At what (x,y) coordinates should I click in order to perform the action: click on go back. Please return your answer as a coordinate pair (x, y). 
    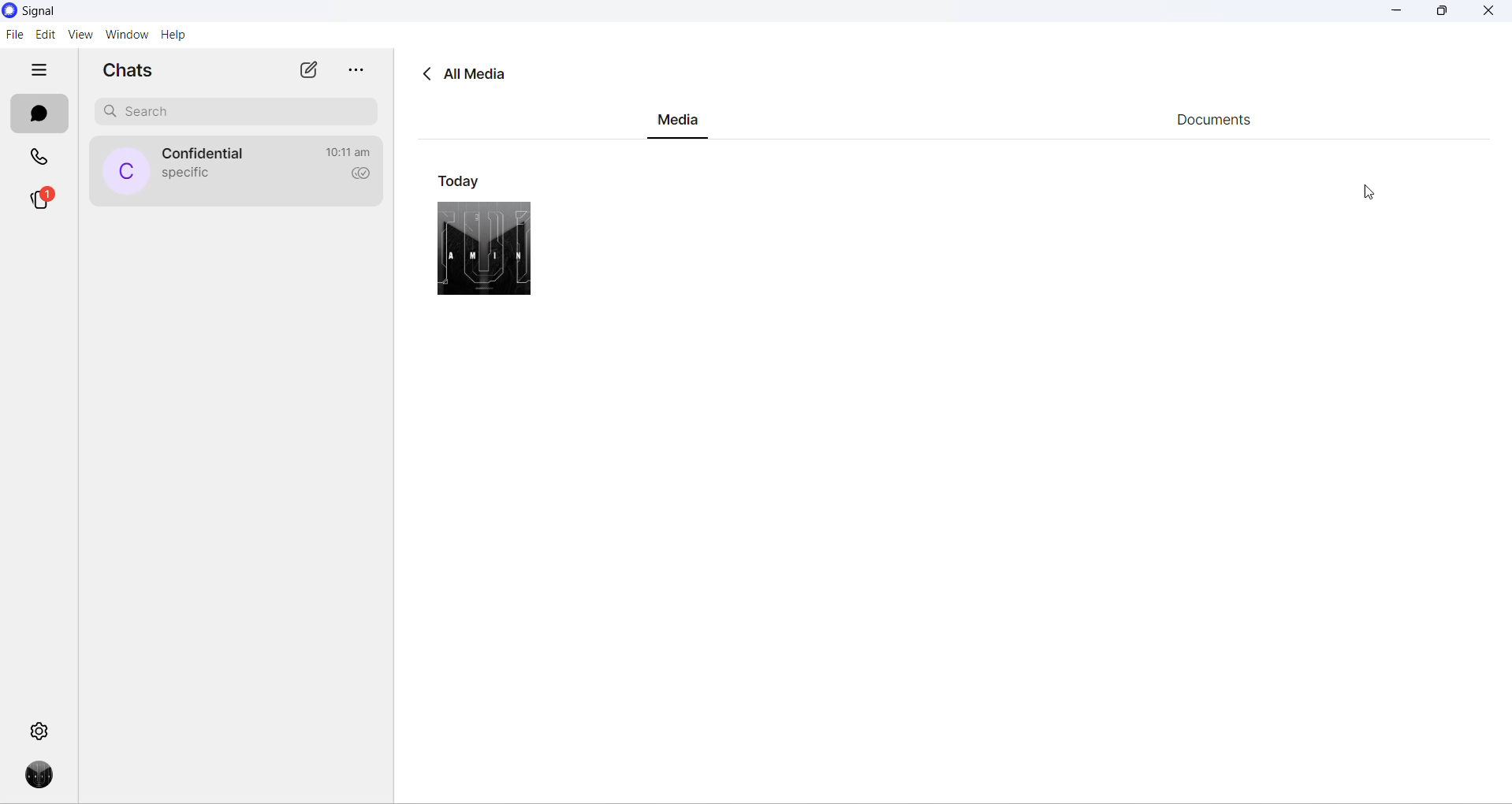
    Looking at the image, I should click on (423, 75).